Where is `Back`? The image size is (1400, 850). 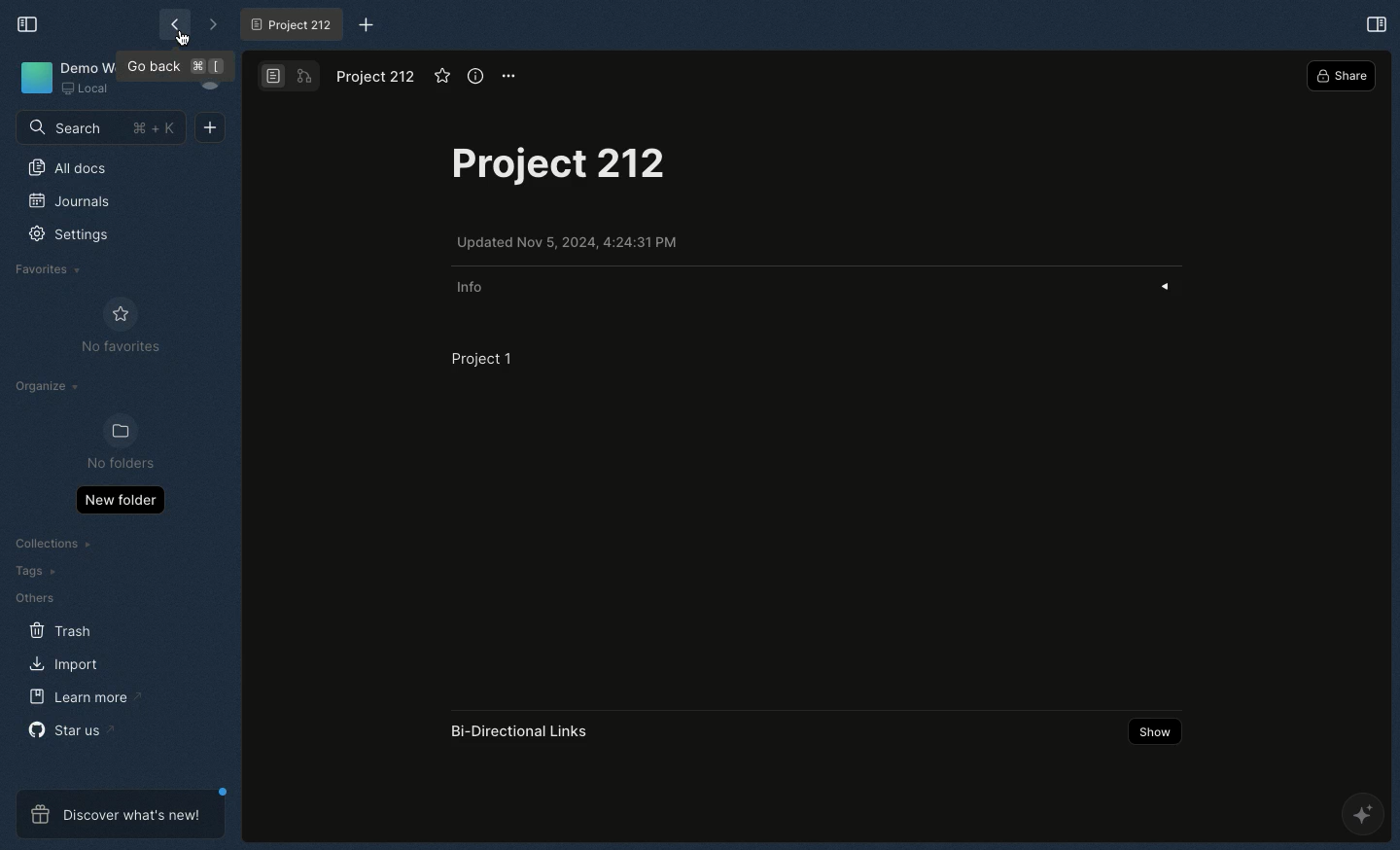 Back is located at coordinates (172, 23).